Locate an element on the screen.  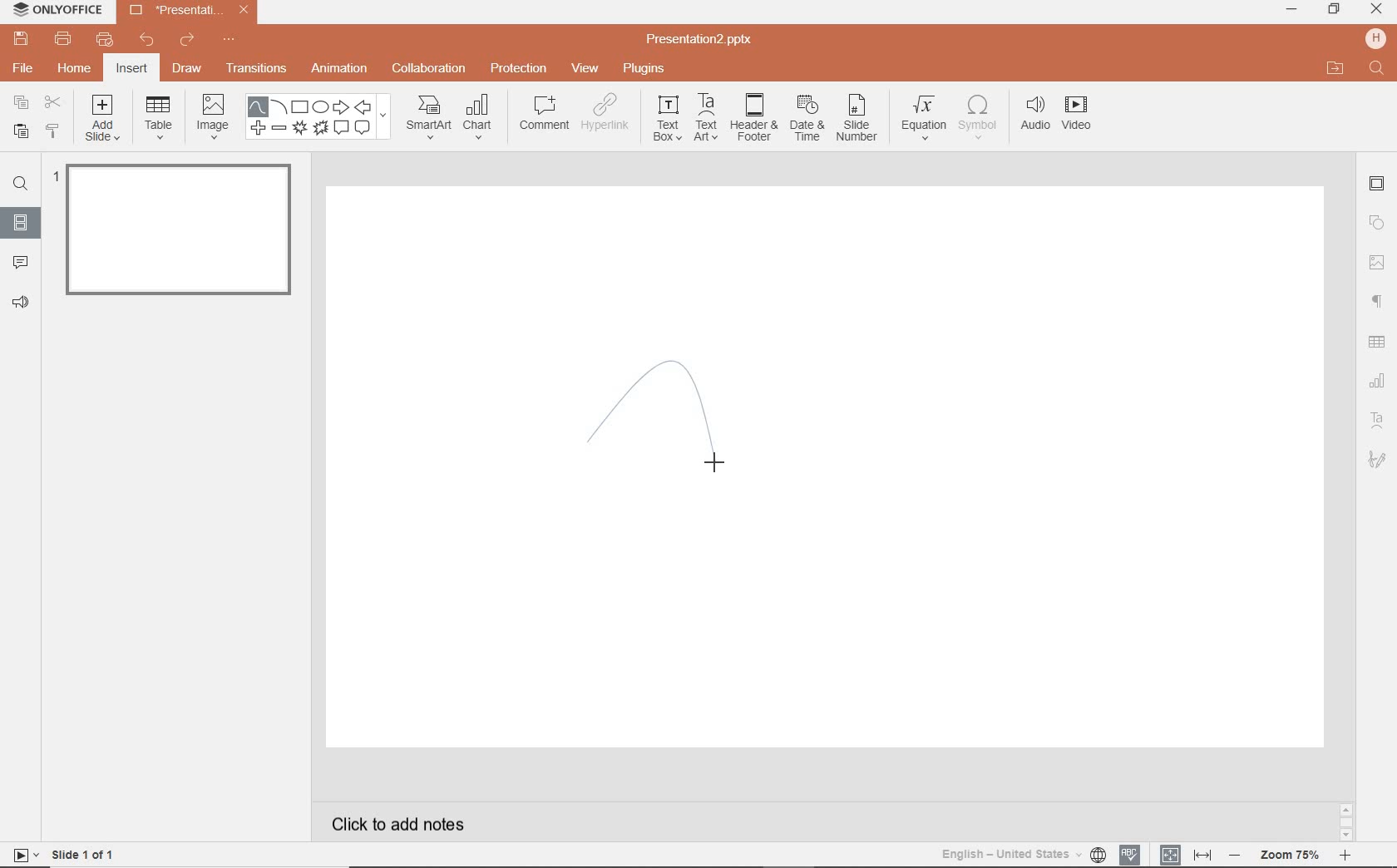
HOME is located at coordinates (73, 70).